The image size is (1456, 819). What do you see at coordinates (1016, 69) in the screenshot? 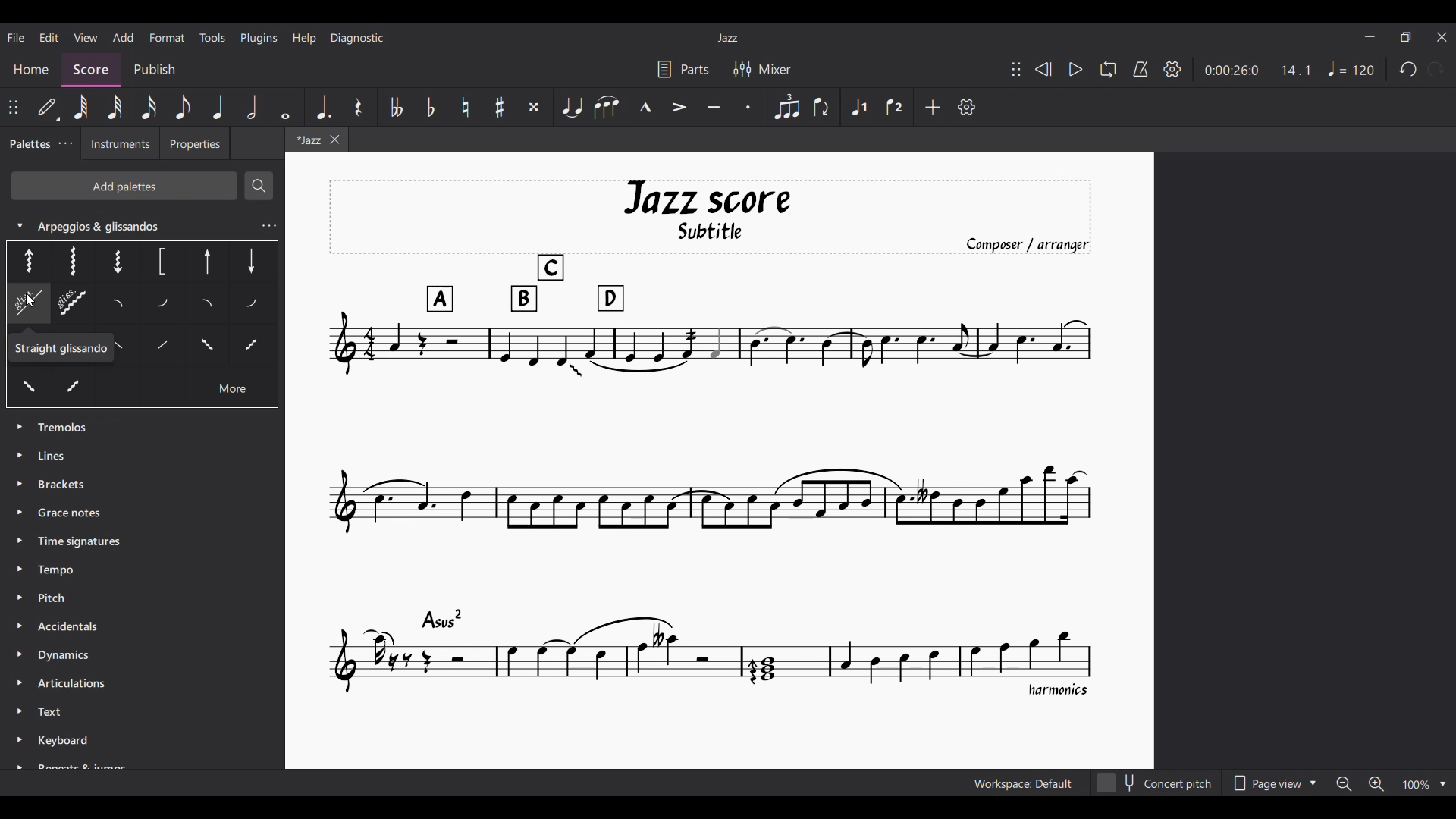
I see `Change position` at bounding box center [1016, 69].